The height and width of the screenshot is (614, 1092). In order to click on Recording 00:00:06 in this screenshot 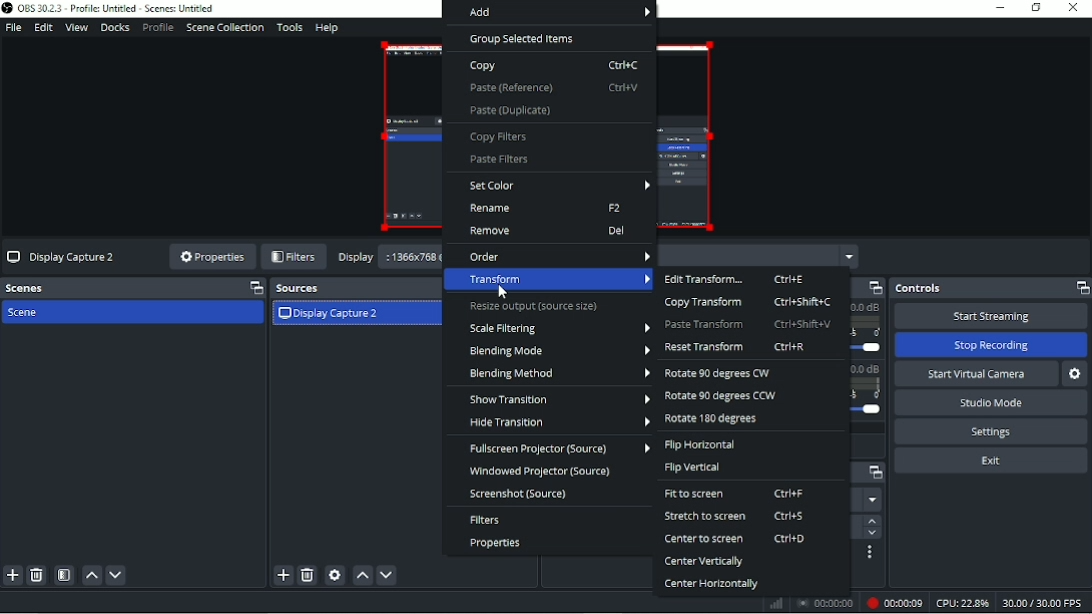, I will do `click(892, 603)`.